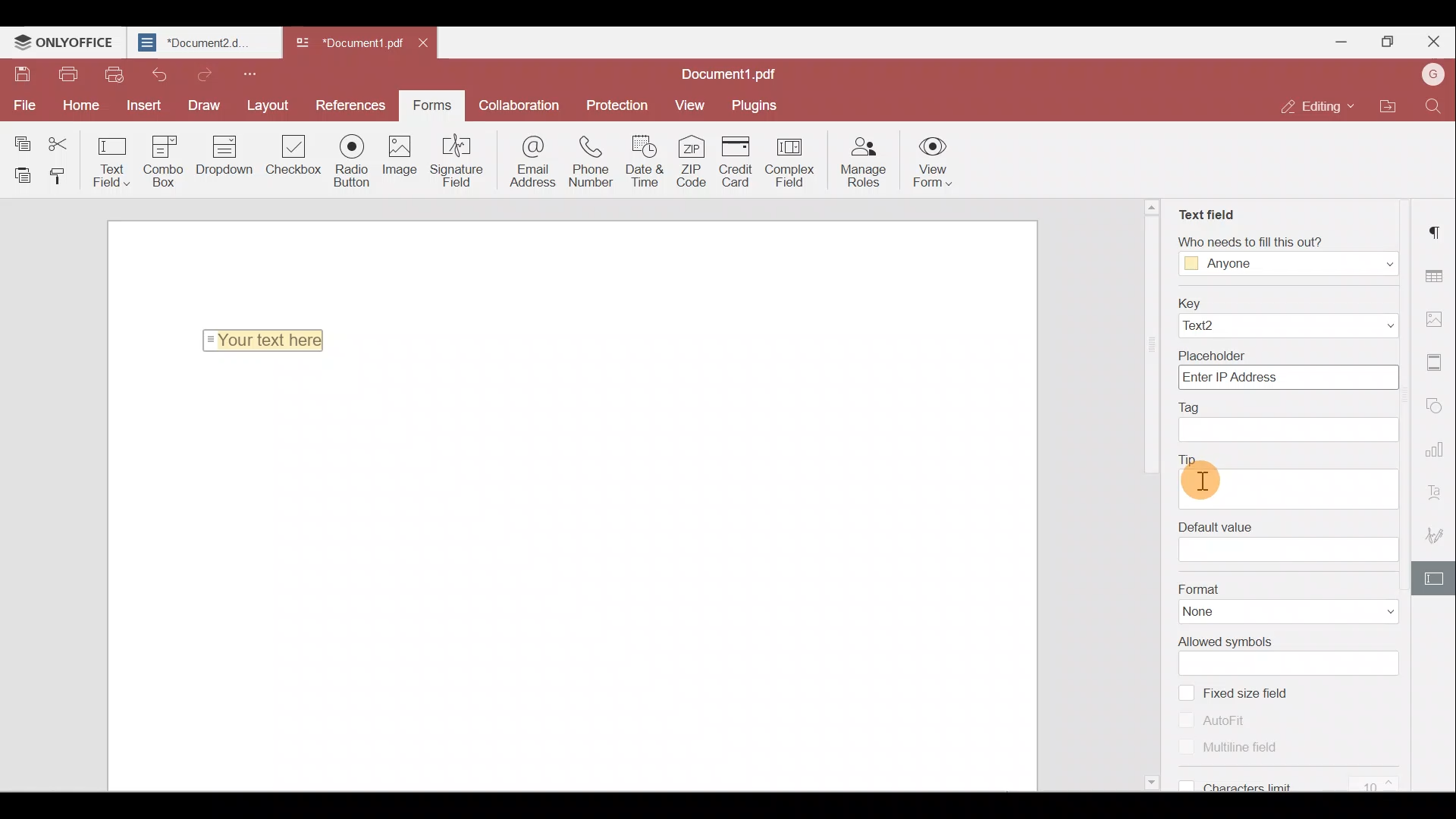  What do you see at coordinates (67, 74) in the screenshot?
I see `Print file` at bounding box center [67, 74].